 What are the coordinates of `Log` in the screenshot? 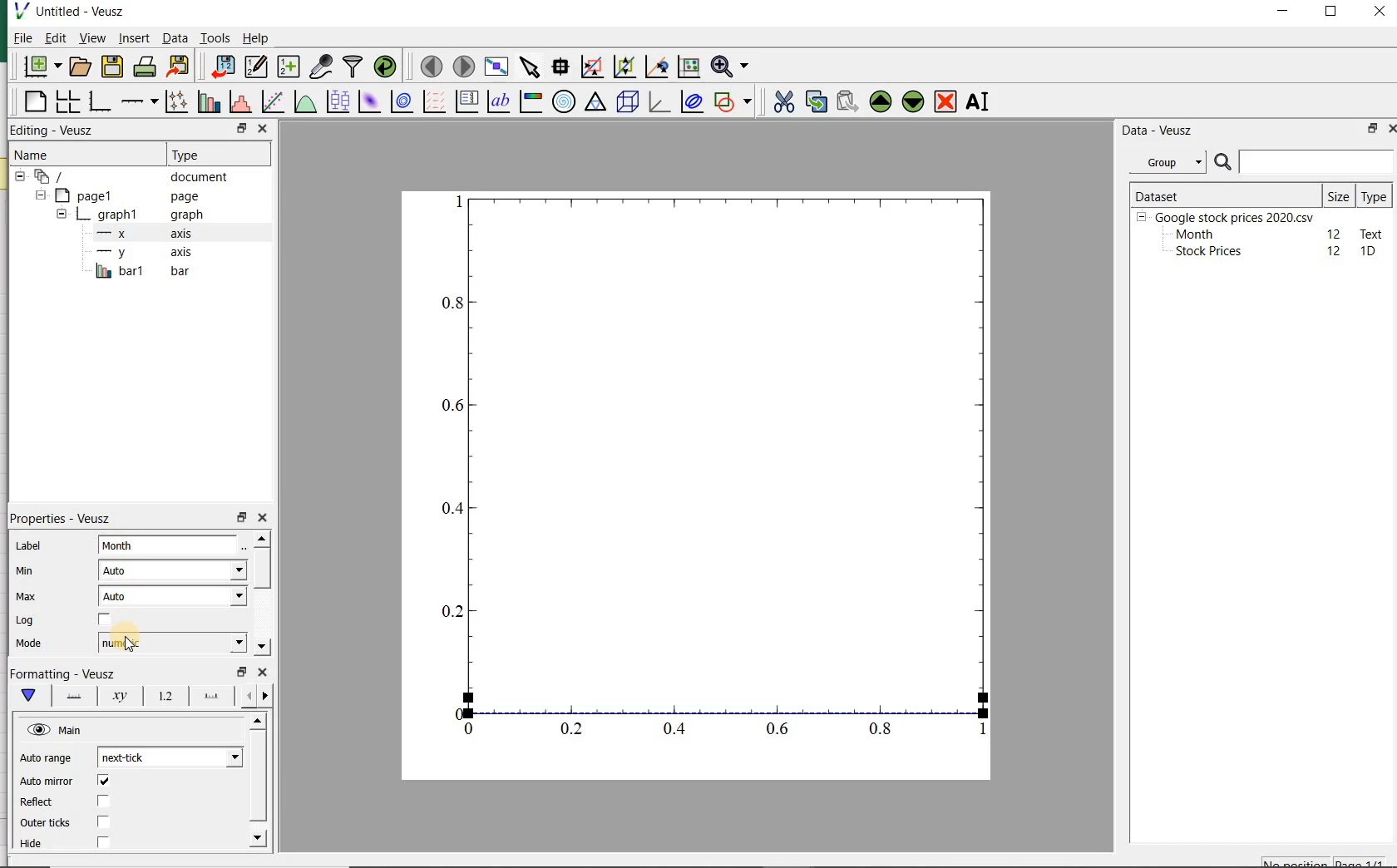 It's located at (24, 620).